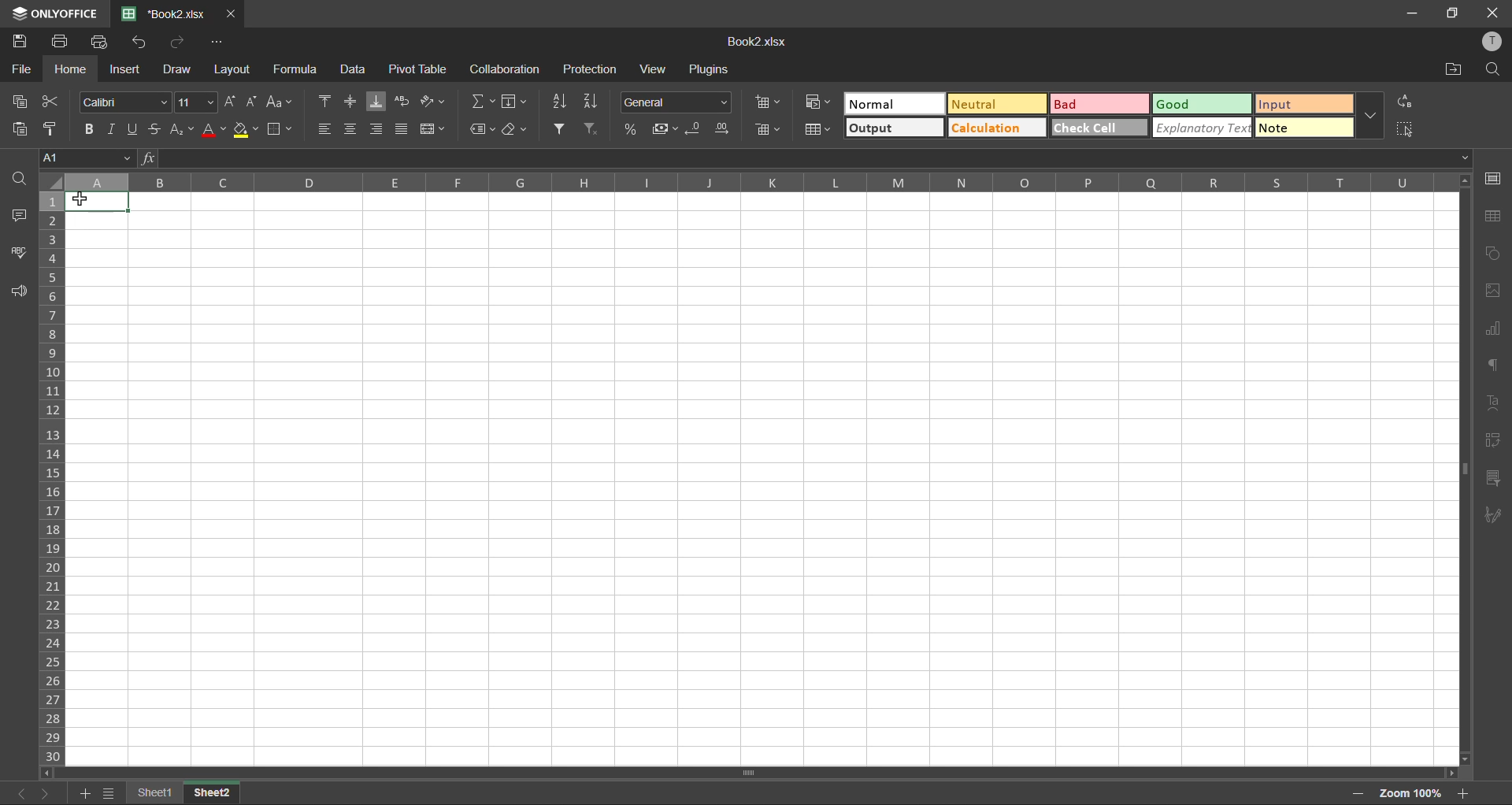 The image size is (1512, 805). What do you see at coordinates (1416, 791) in the screenshot?
I see `zoom factor` at bounding box center [1416, 791].